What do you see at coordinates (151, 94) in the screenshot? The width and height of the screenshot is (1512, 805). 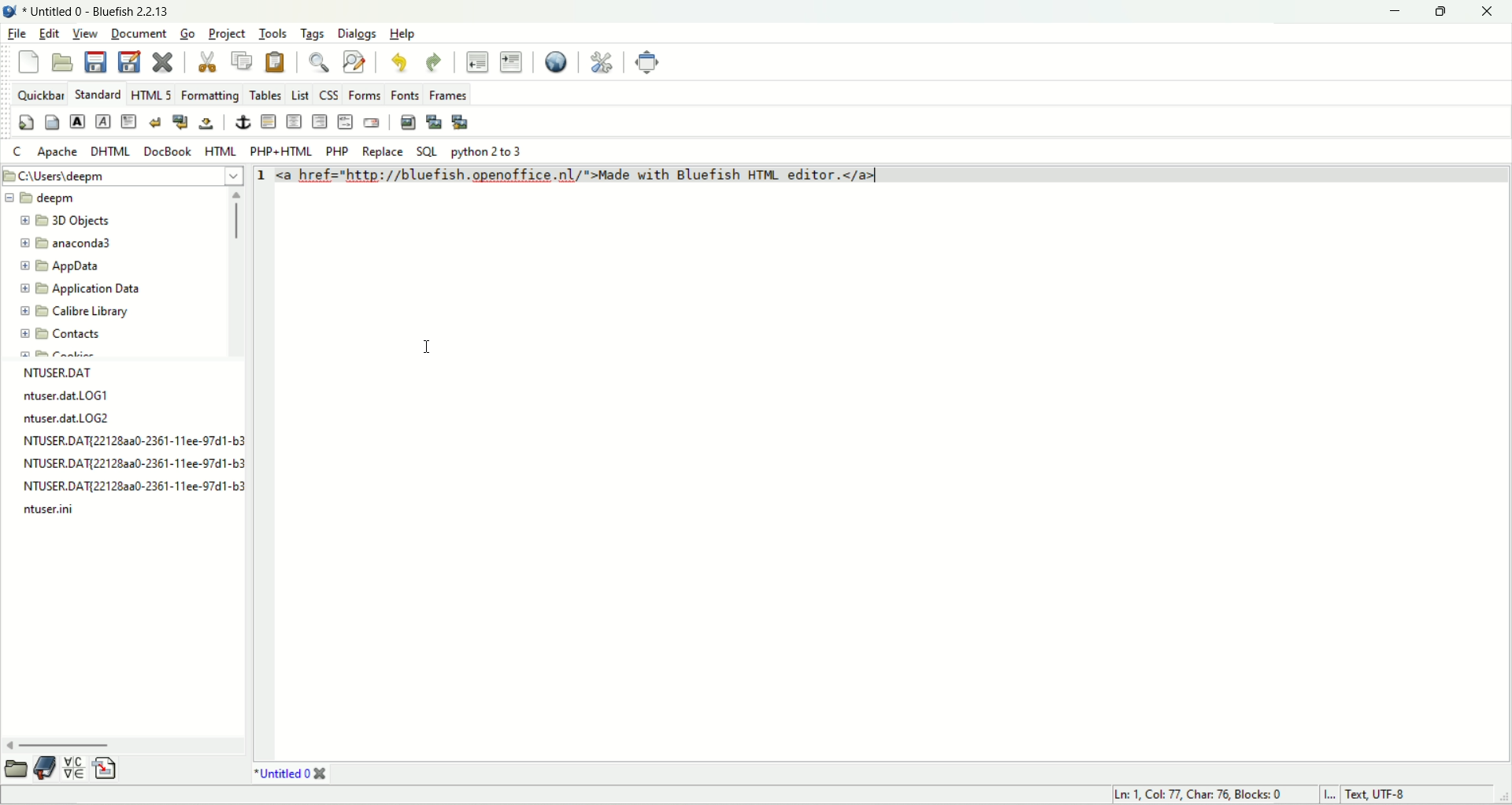 I see `HTML 5` at bounding box center [151, 94].